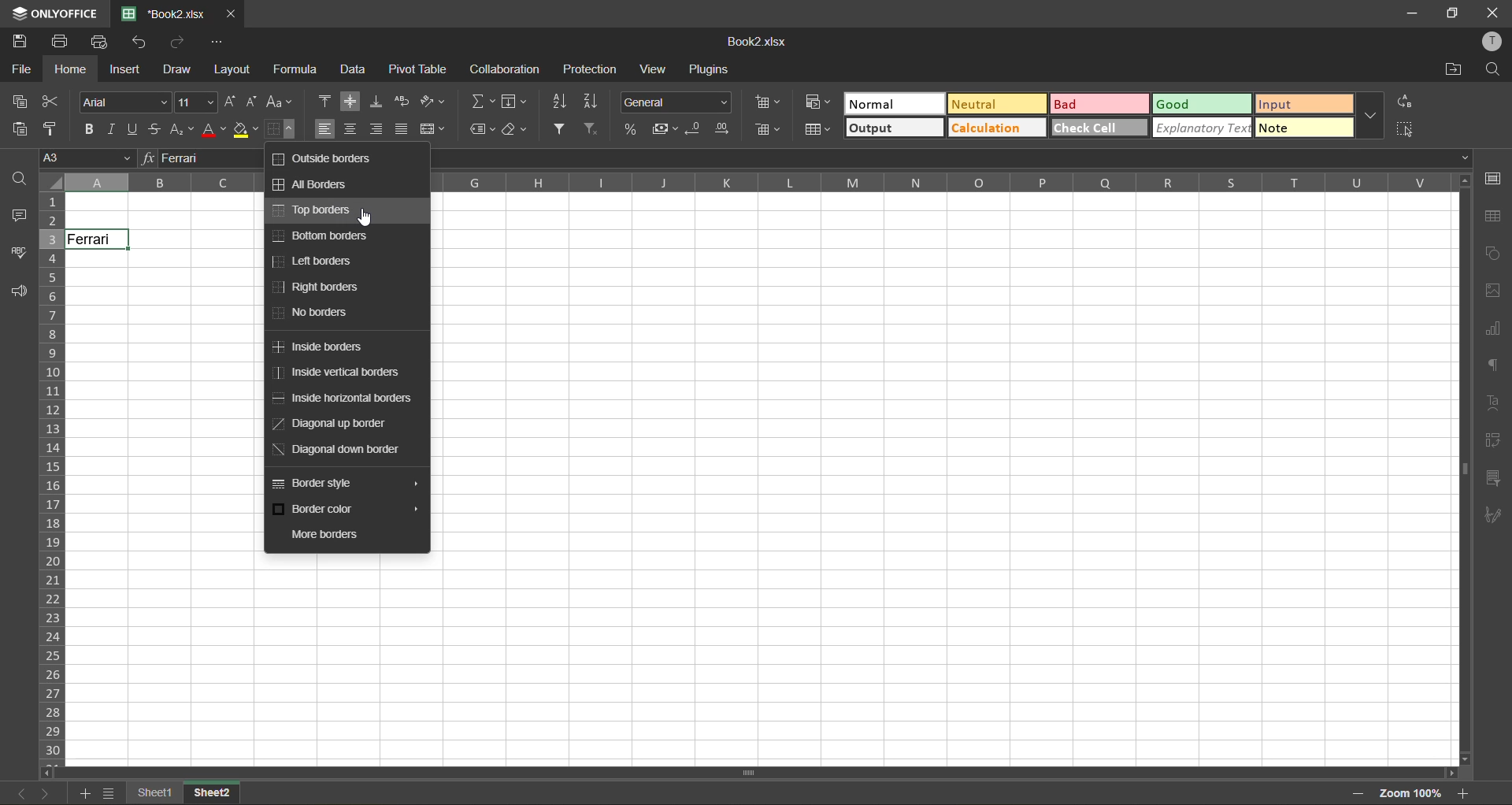 This screenshot has height=805, width=1512. What do you see at coordinates (500, 72) in the screenshot?
I see `collaboration` at bounding box center [500, 72].